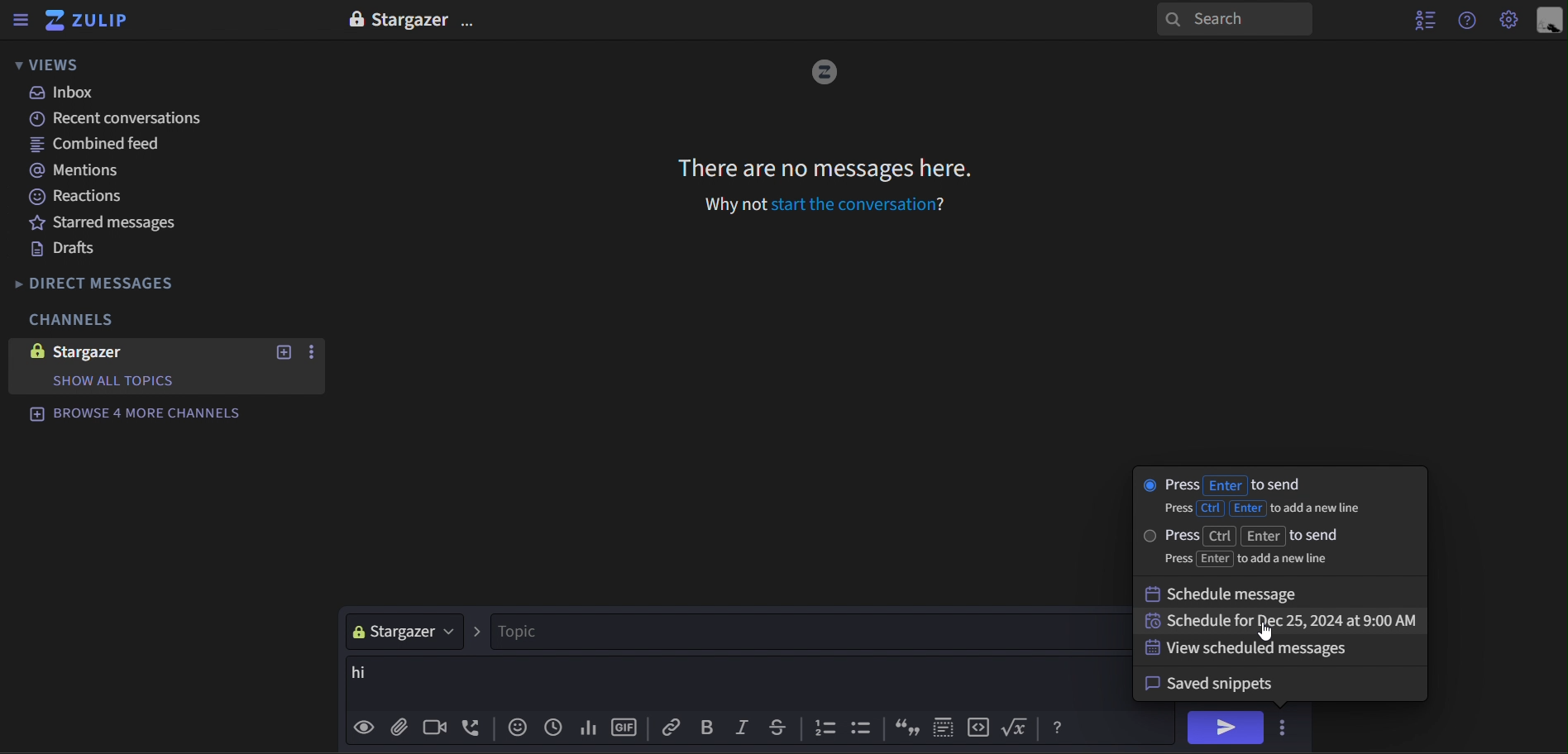 This screenshot has width=1568, height=754. I want to click on Why not, so click(726, 206).